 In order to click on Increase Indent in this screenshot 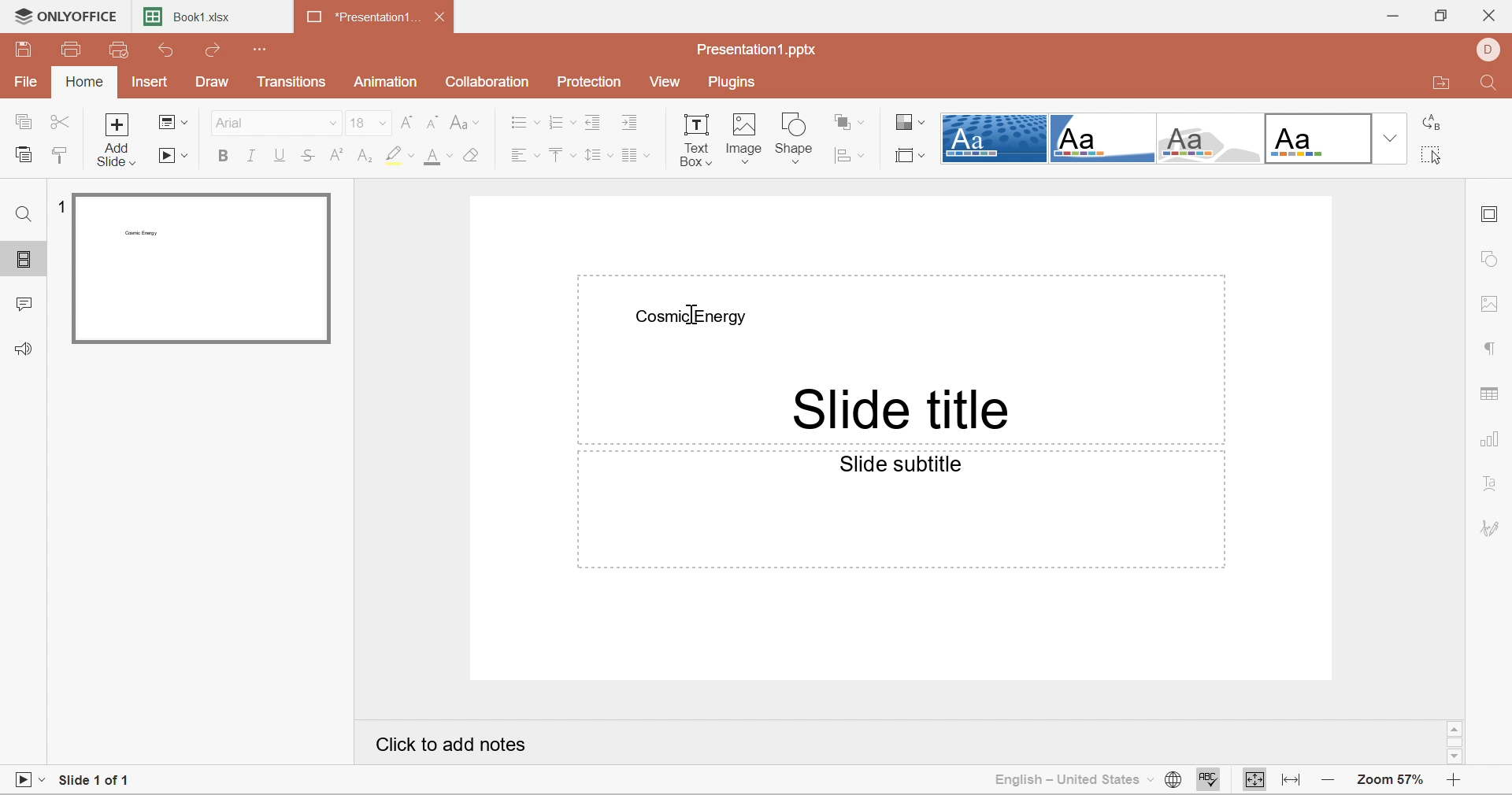, I will do `click(632, 122)`.